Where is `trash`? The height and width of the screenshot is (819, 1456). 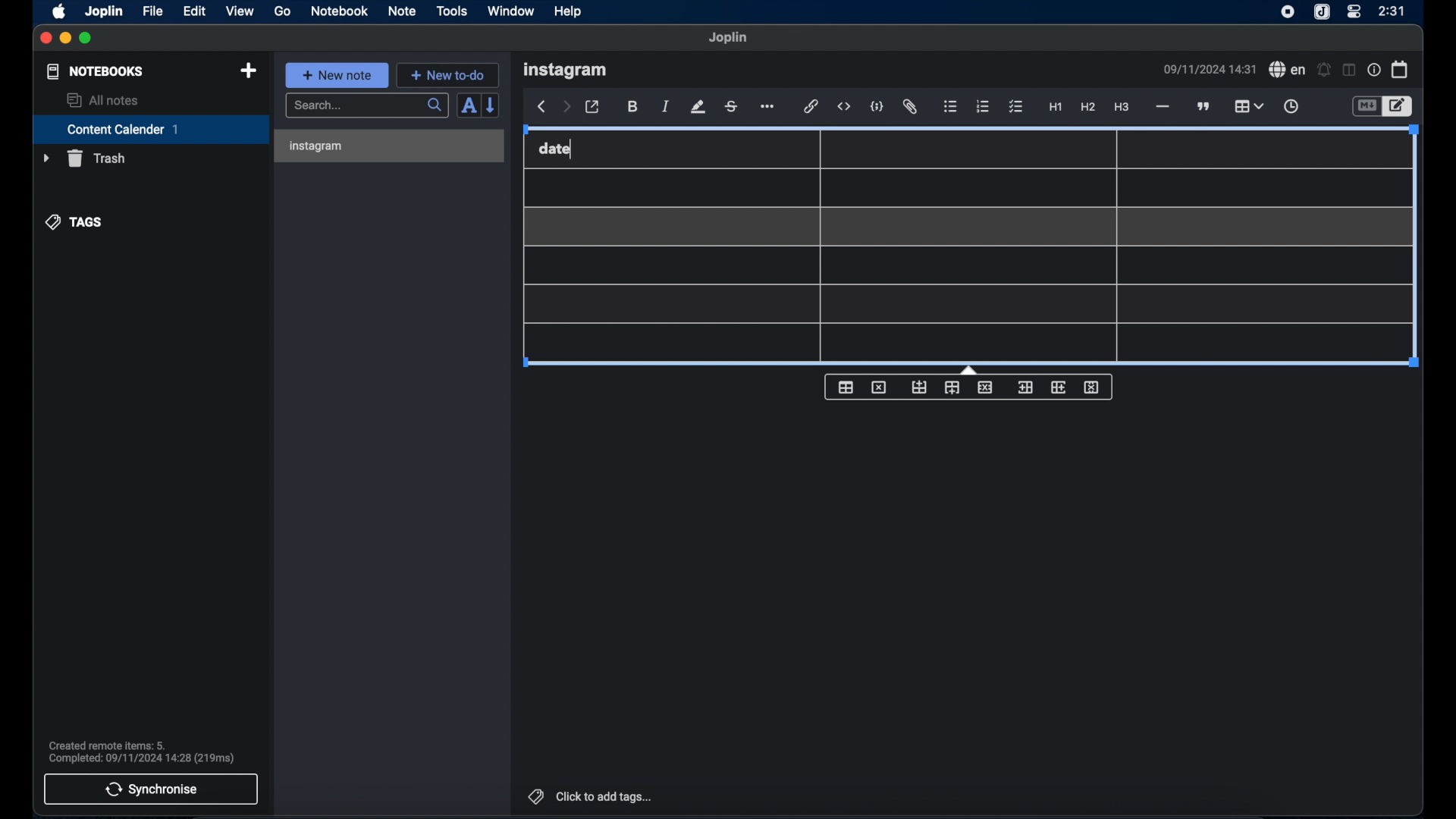
trash is located at coordinates (84, 158).